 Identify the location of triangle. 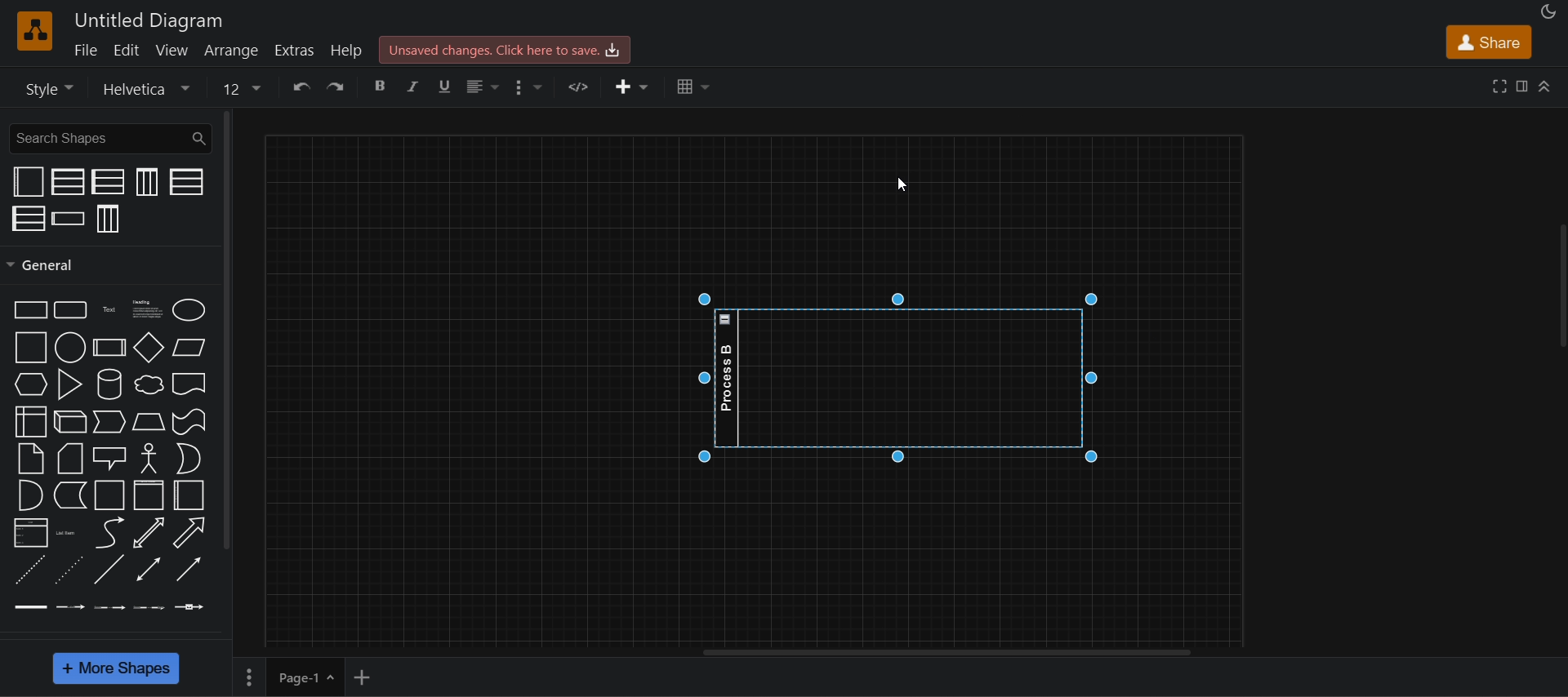
(69, 384).